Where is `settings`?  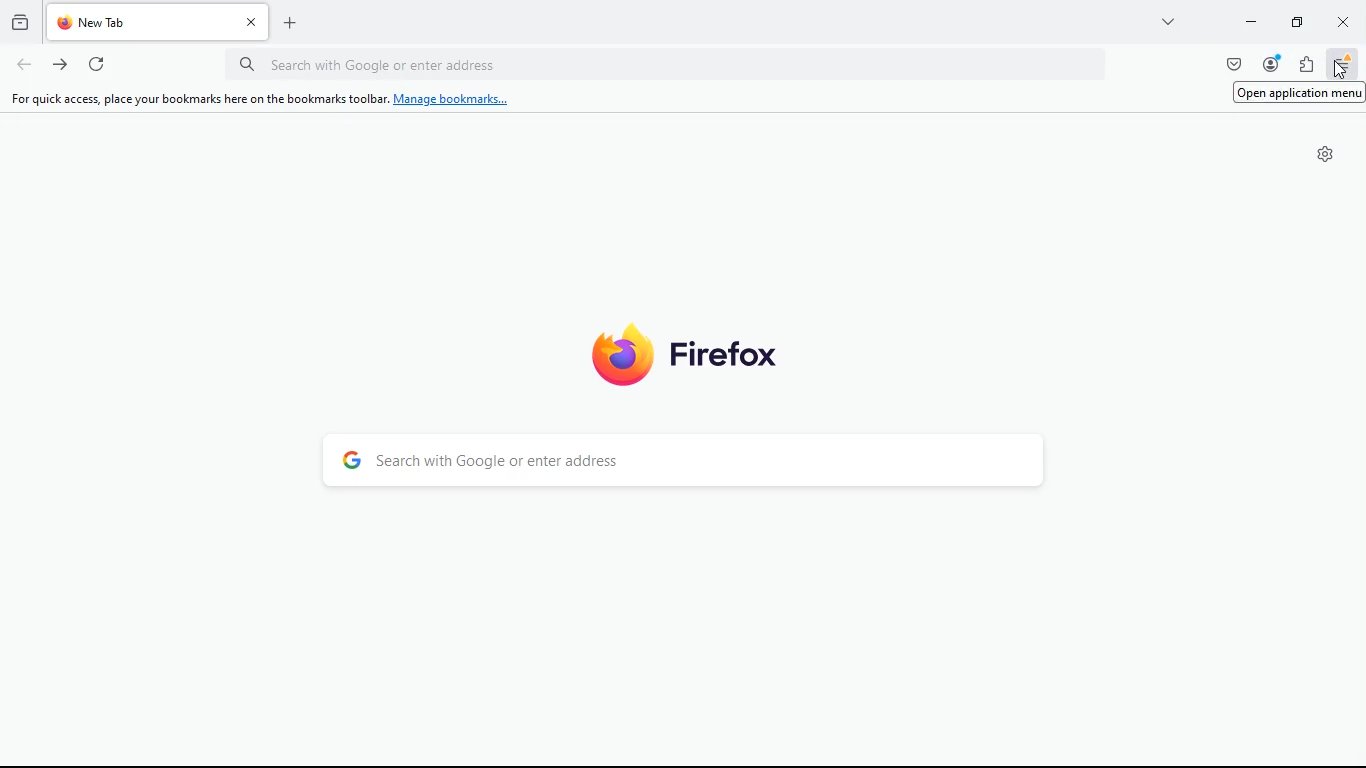 settings is located at coordinates (1326, 155).